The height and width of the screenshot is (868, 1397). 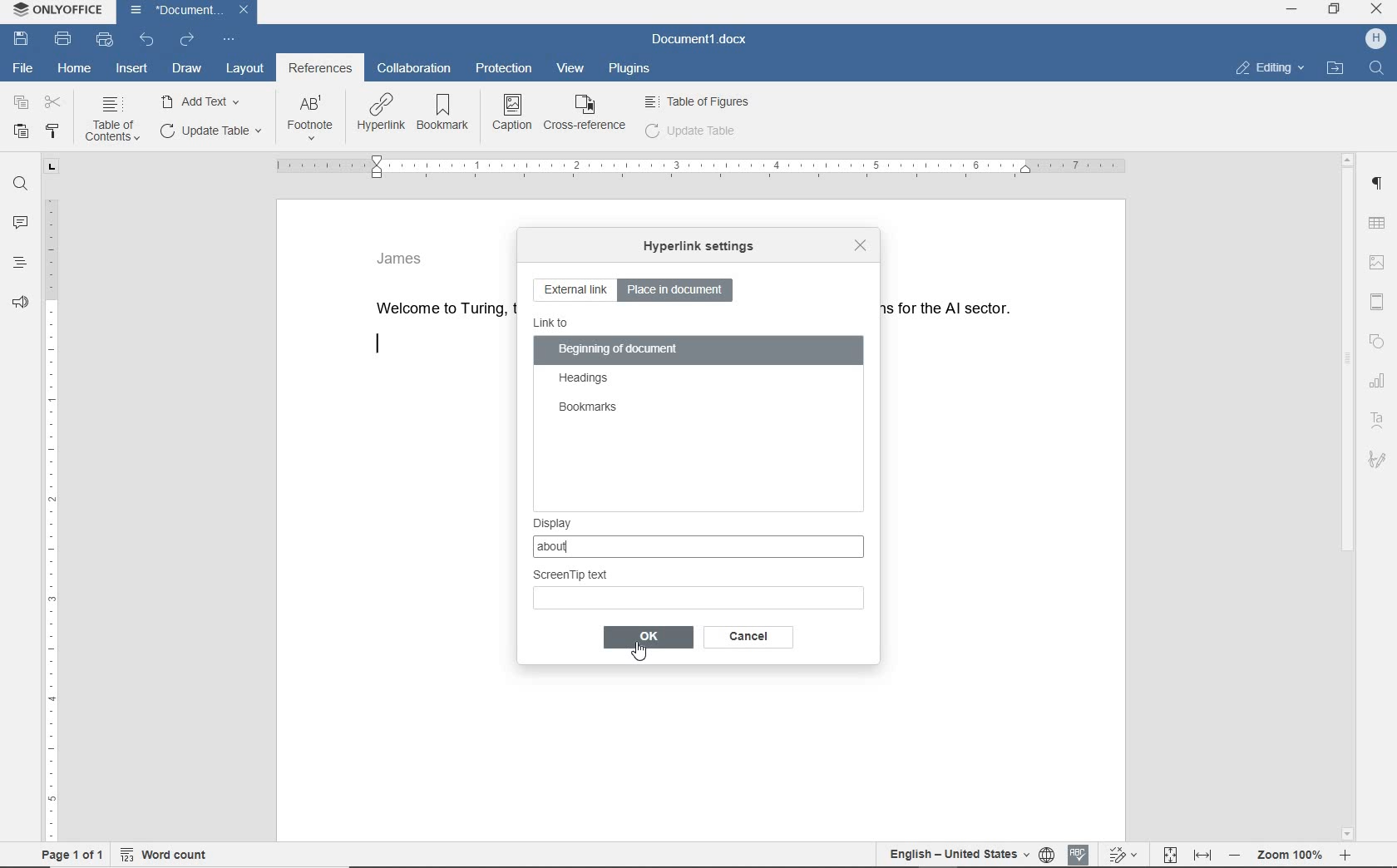 What do you see at coordinates (147, 41) in the screenshot?
I see `undo` at bounding box center [147, 41].